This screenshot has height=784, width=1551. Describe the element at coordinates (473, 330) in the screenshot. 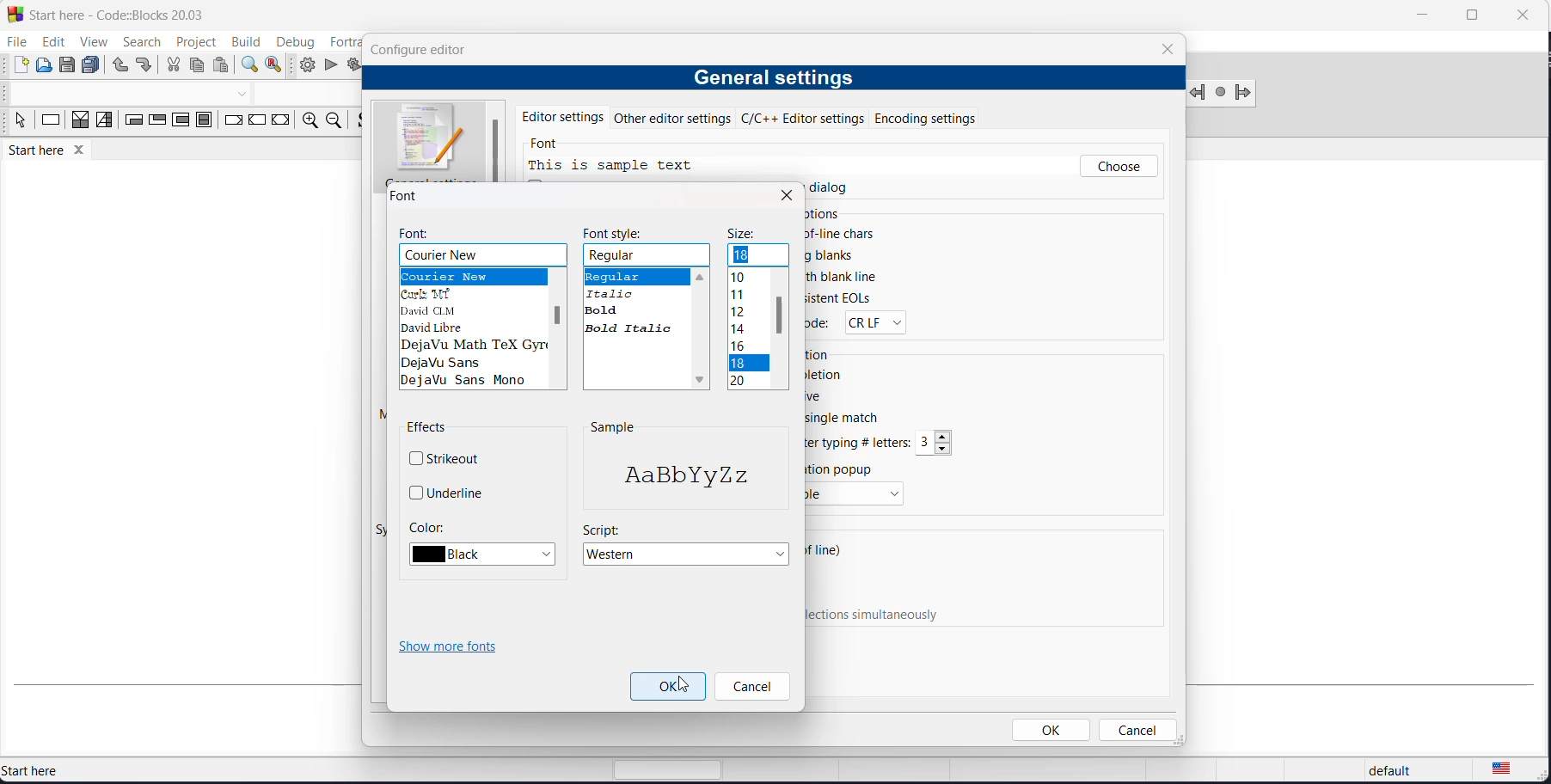

I see `font options` at that location.